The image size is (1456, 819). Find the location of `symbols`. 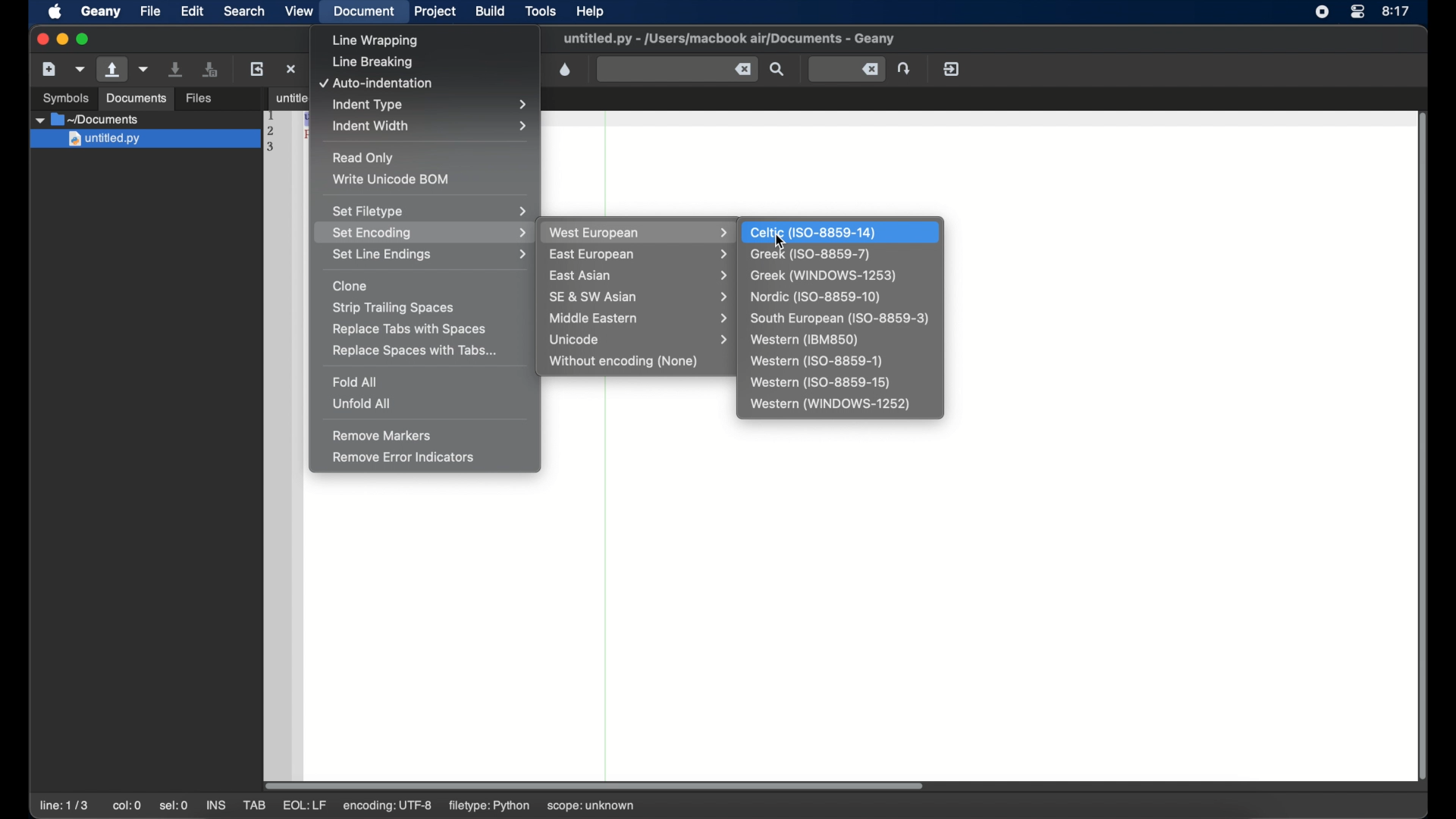

symbols is located at coordinates (67, 98).